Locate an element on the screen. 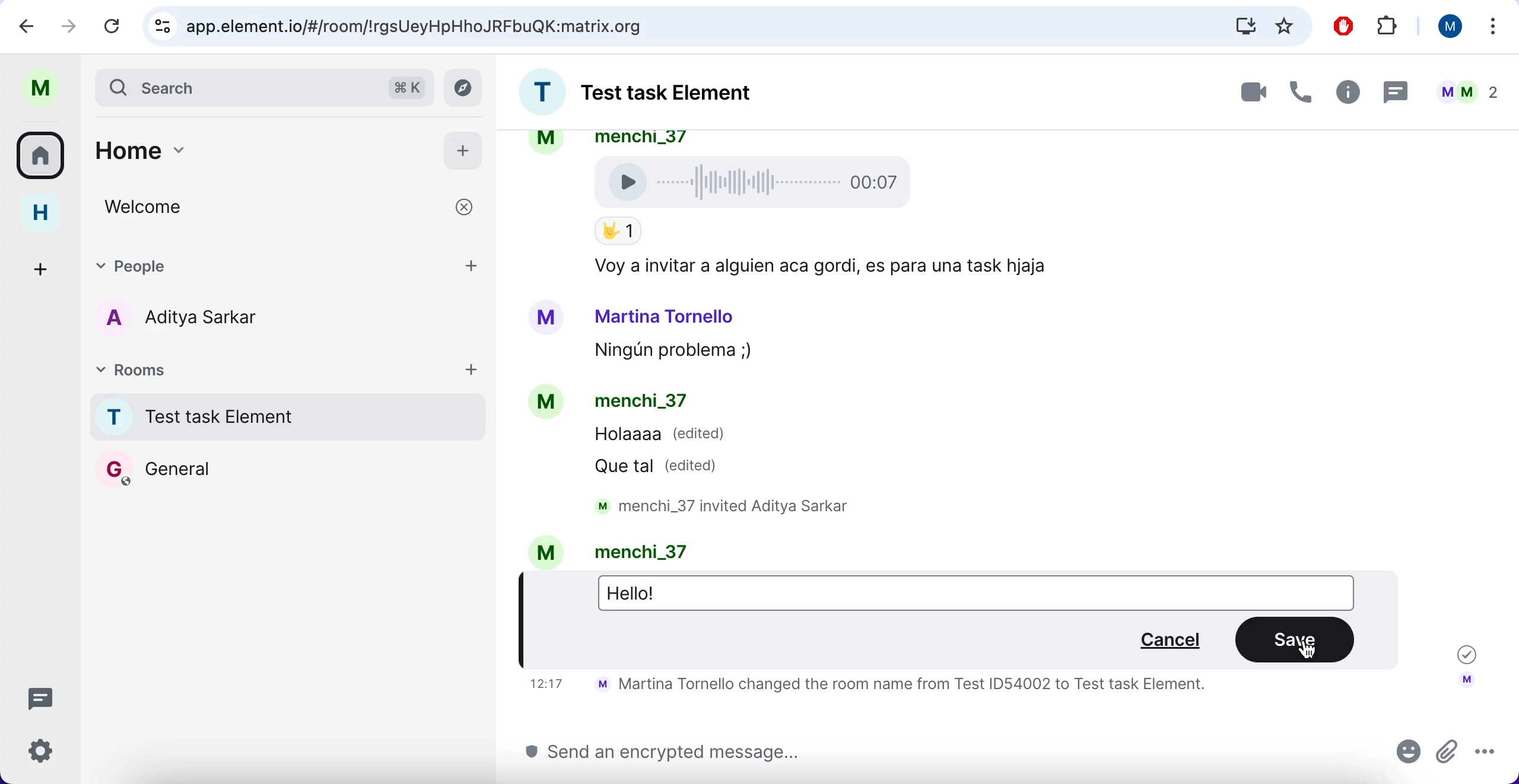  explore rooms is located at coordinates (466, 87).